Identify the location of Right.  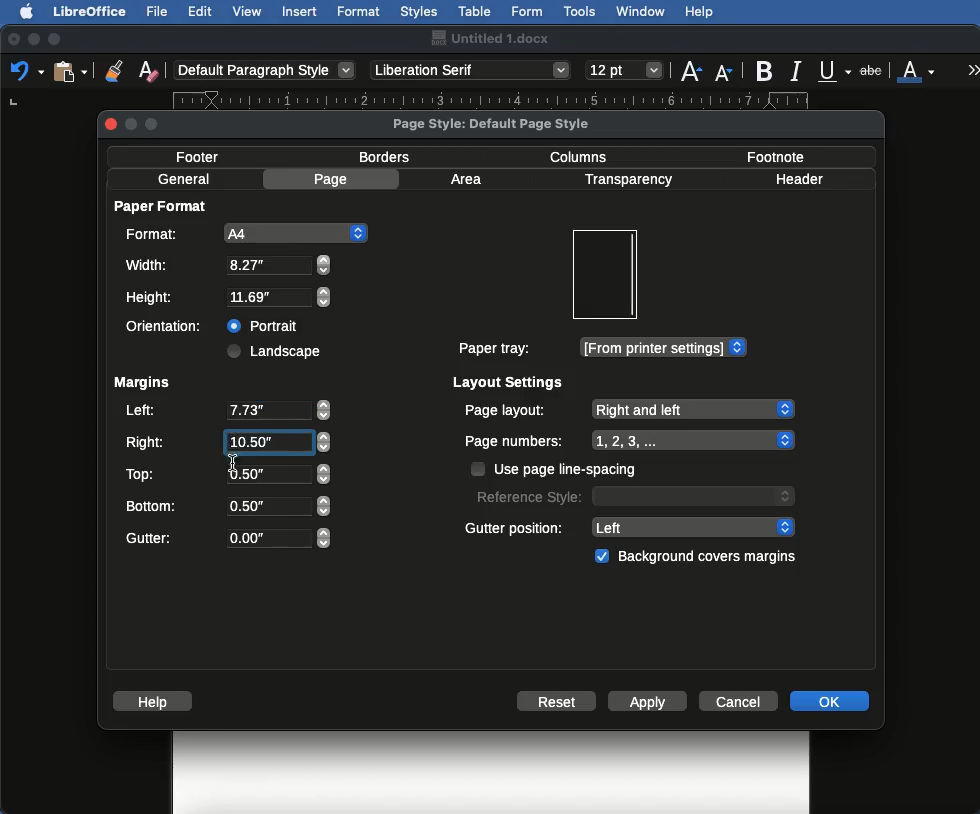
(226, 443).